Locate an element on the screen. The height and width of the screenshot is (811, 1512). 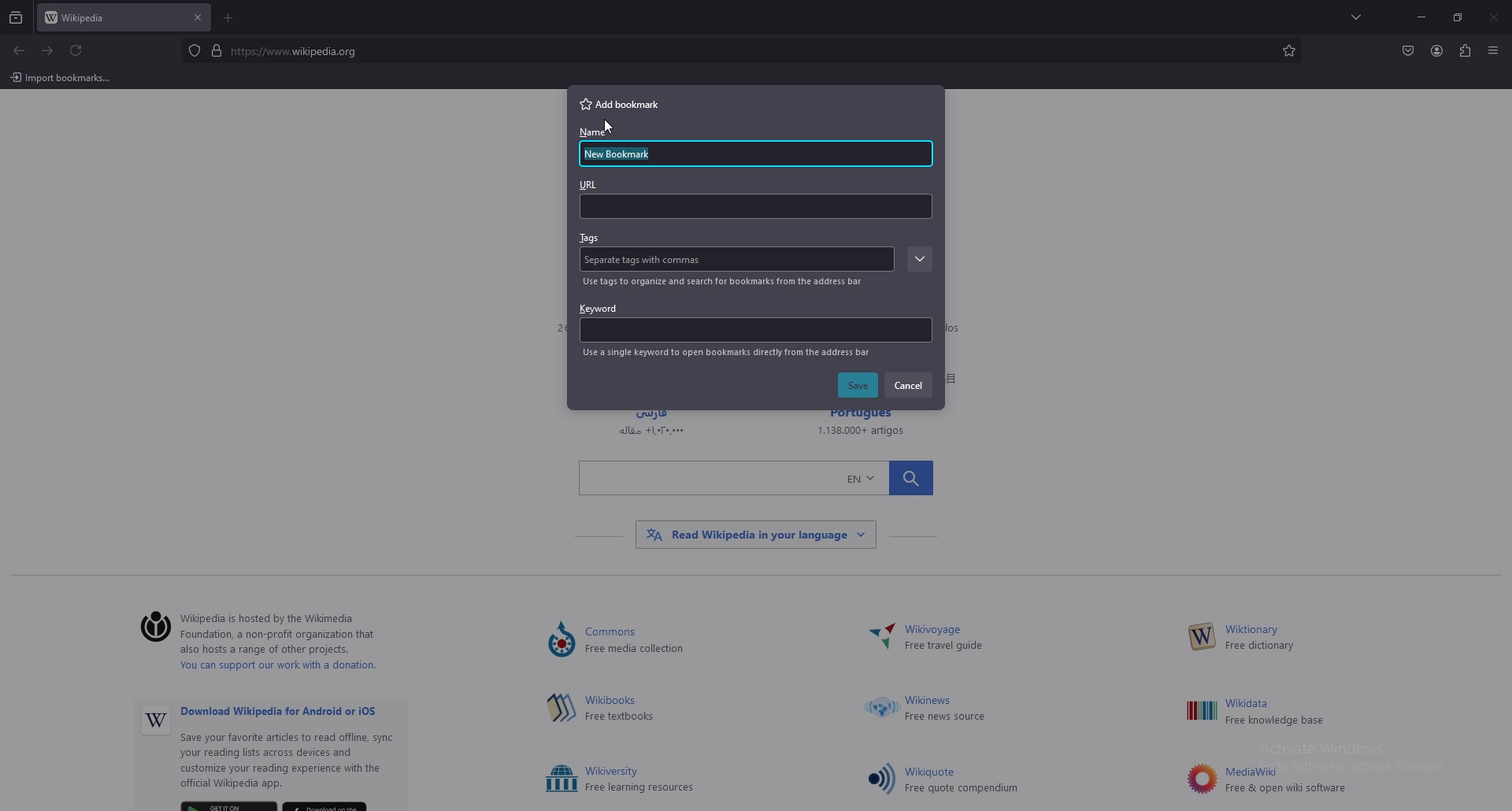
 is located at coordinates (1289, 713).